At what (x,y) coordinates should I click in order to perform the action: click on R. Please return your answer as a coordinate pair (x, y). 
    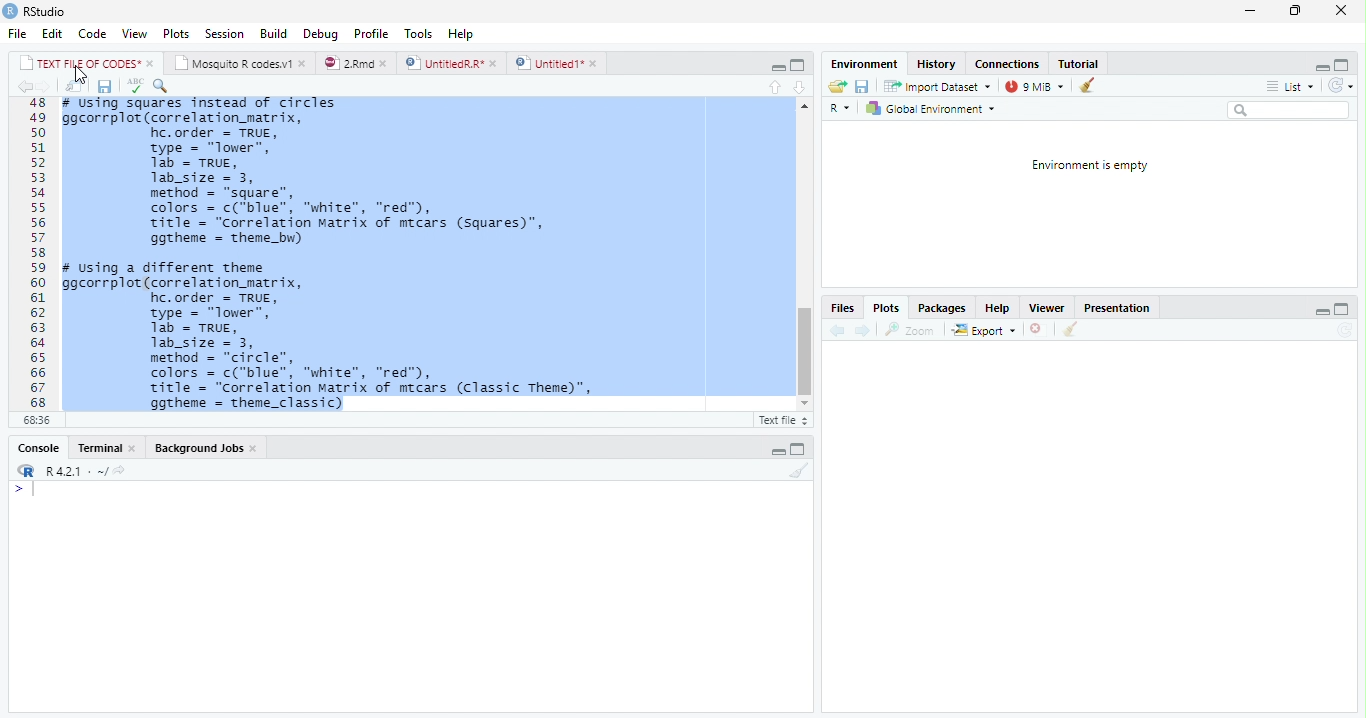
    Looking at the image, I should click on (838, 107).